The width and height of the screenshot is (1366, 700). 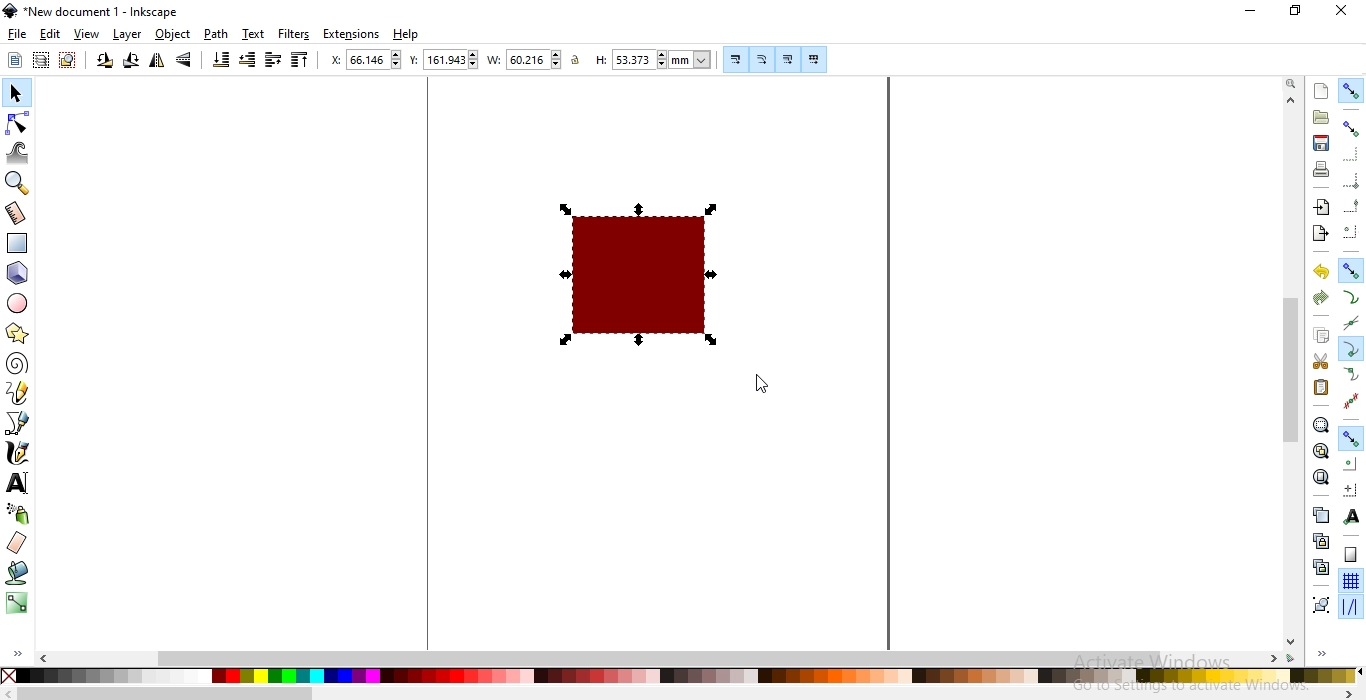 I want to click on snap midpoints of line segments, so click(x=1354, y=399).